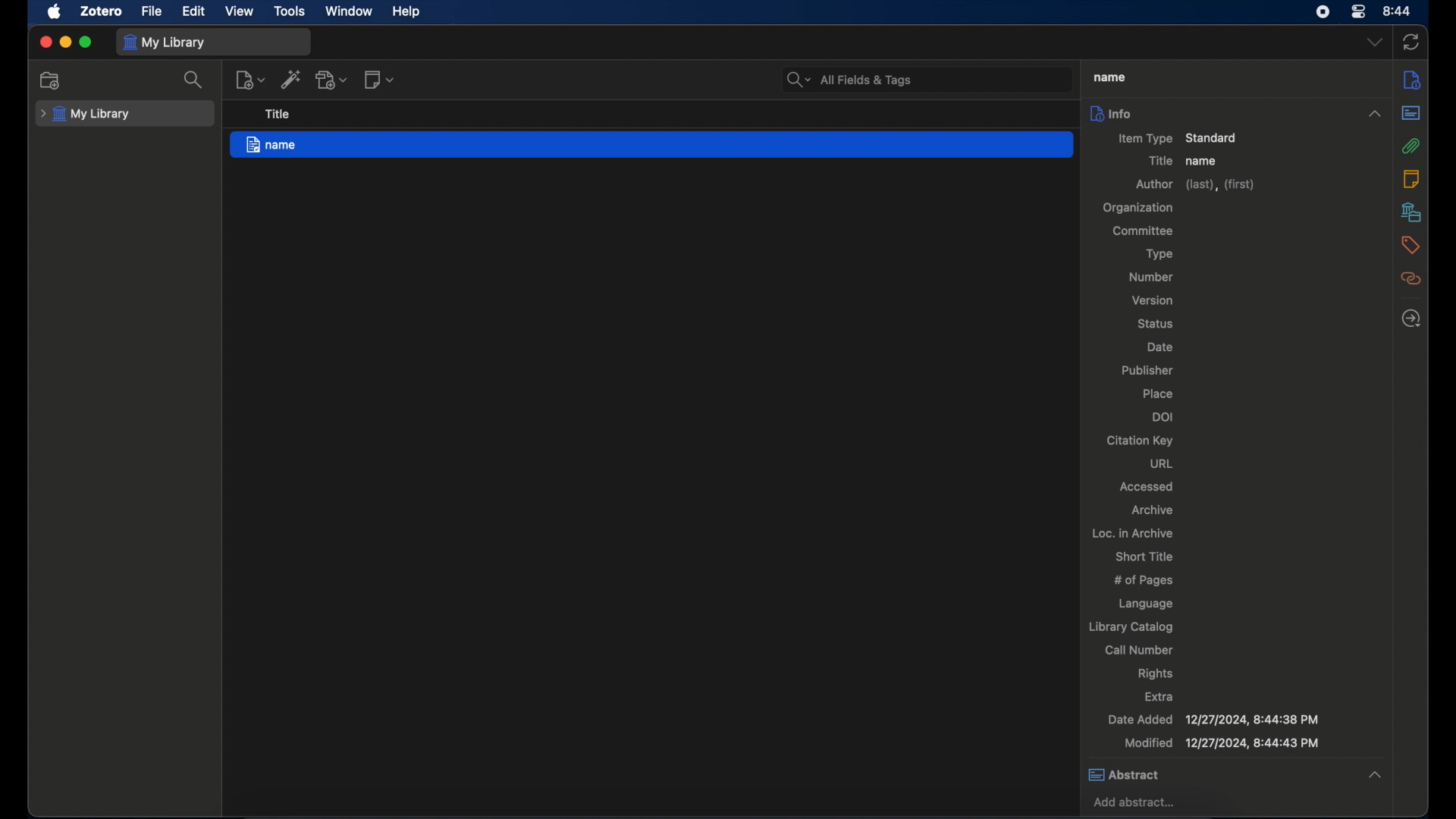  I want to click on publisher, so click(1146, 371).